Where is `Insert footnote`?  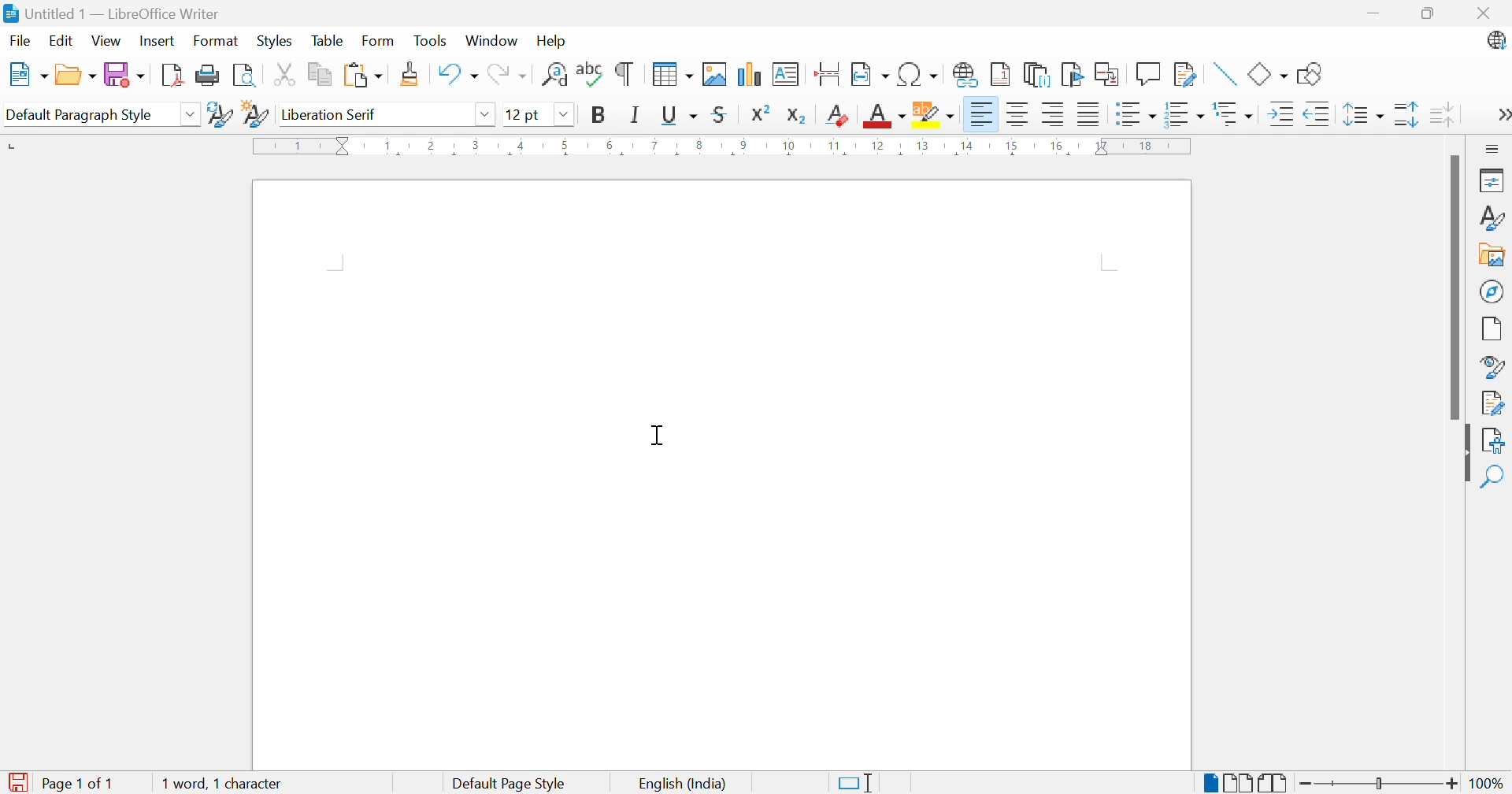
Insert footnote is located at coordinates (1002, 73).